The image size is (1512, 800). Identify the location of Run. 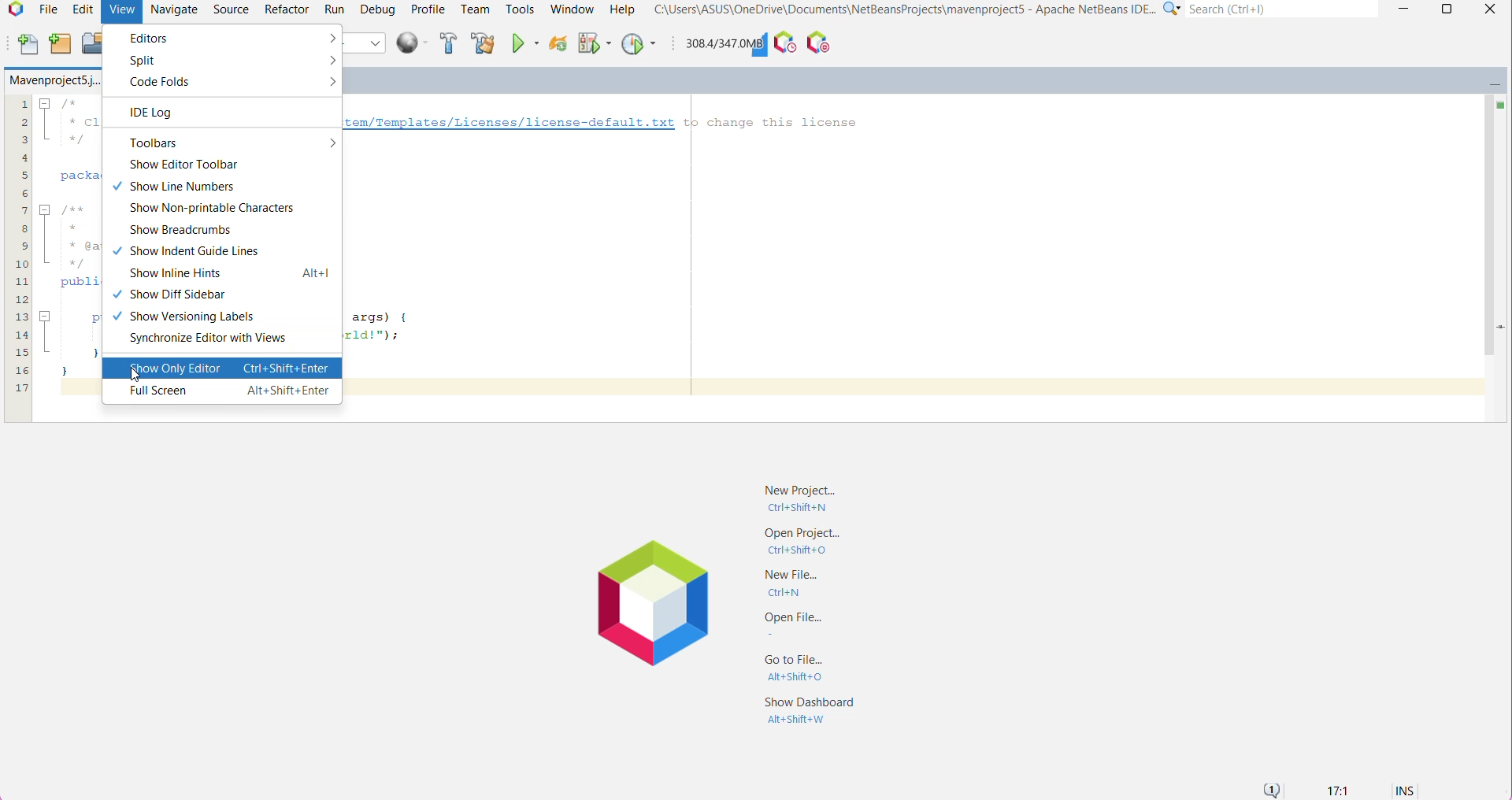
(413, 45).